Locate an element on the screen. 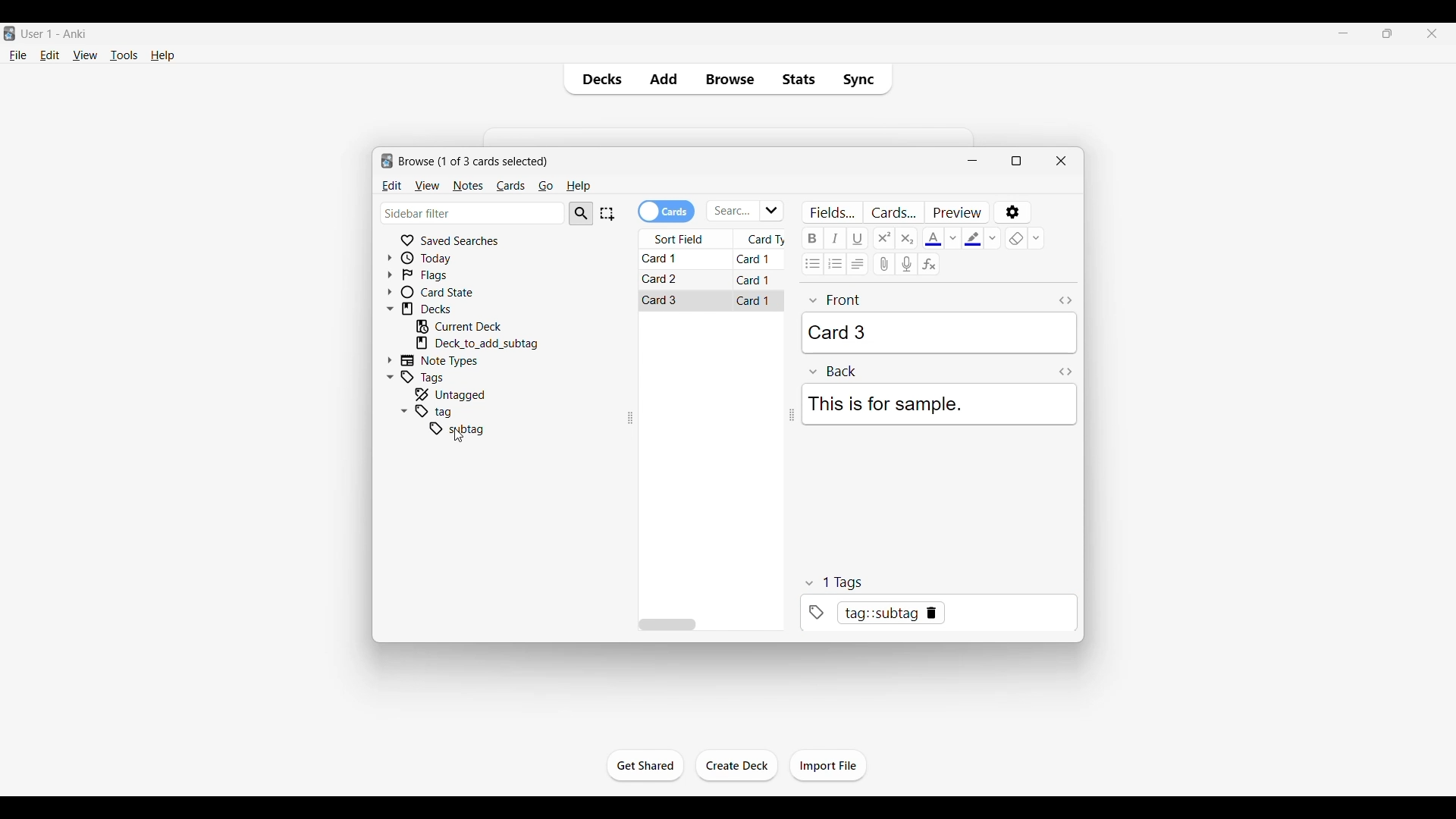 This screenshot has height=819, width=1456. Customize card templates is located at coordinates (893, 212).